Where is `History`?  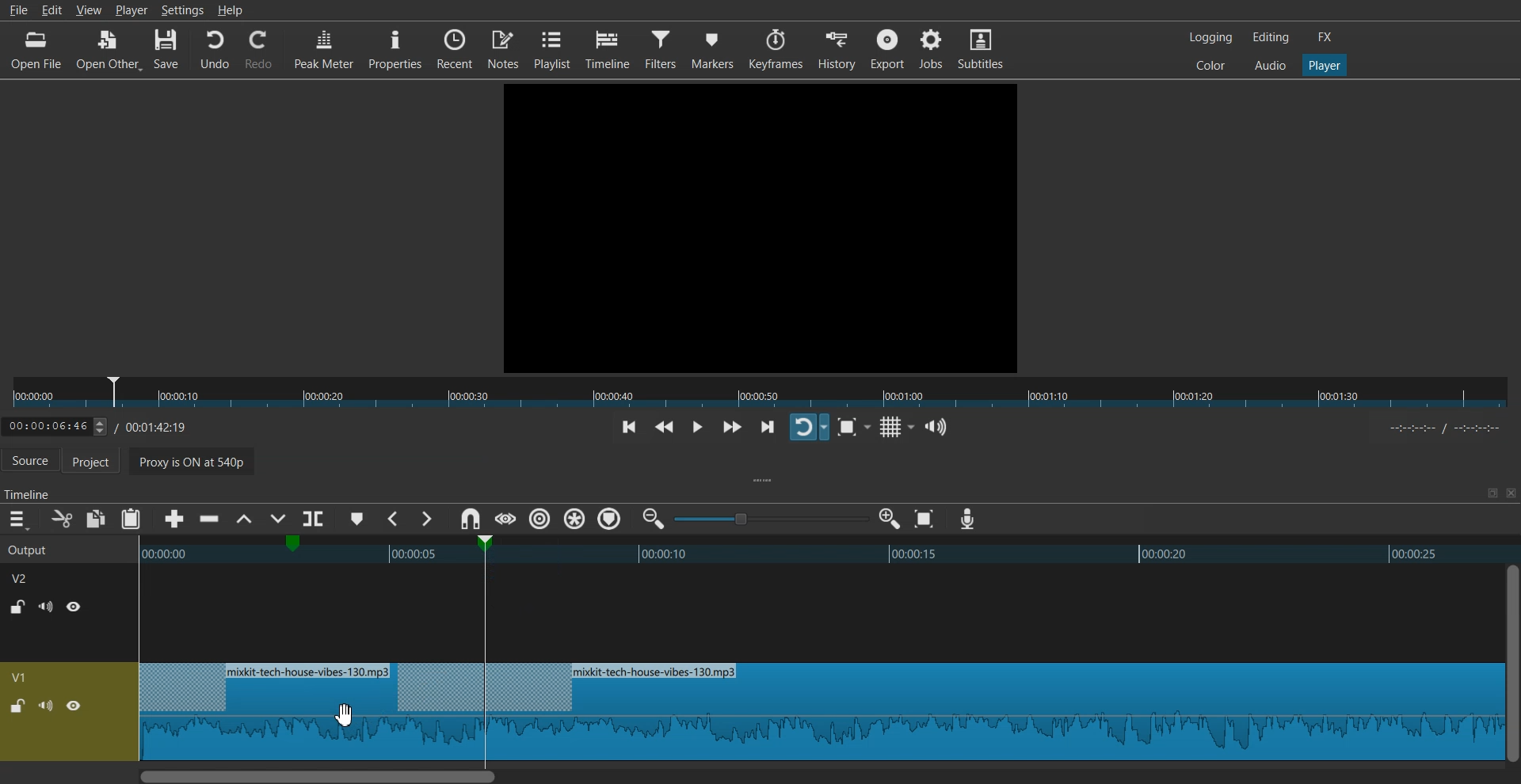 History is located at coordinates (838, 49).